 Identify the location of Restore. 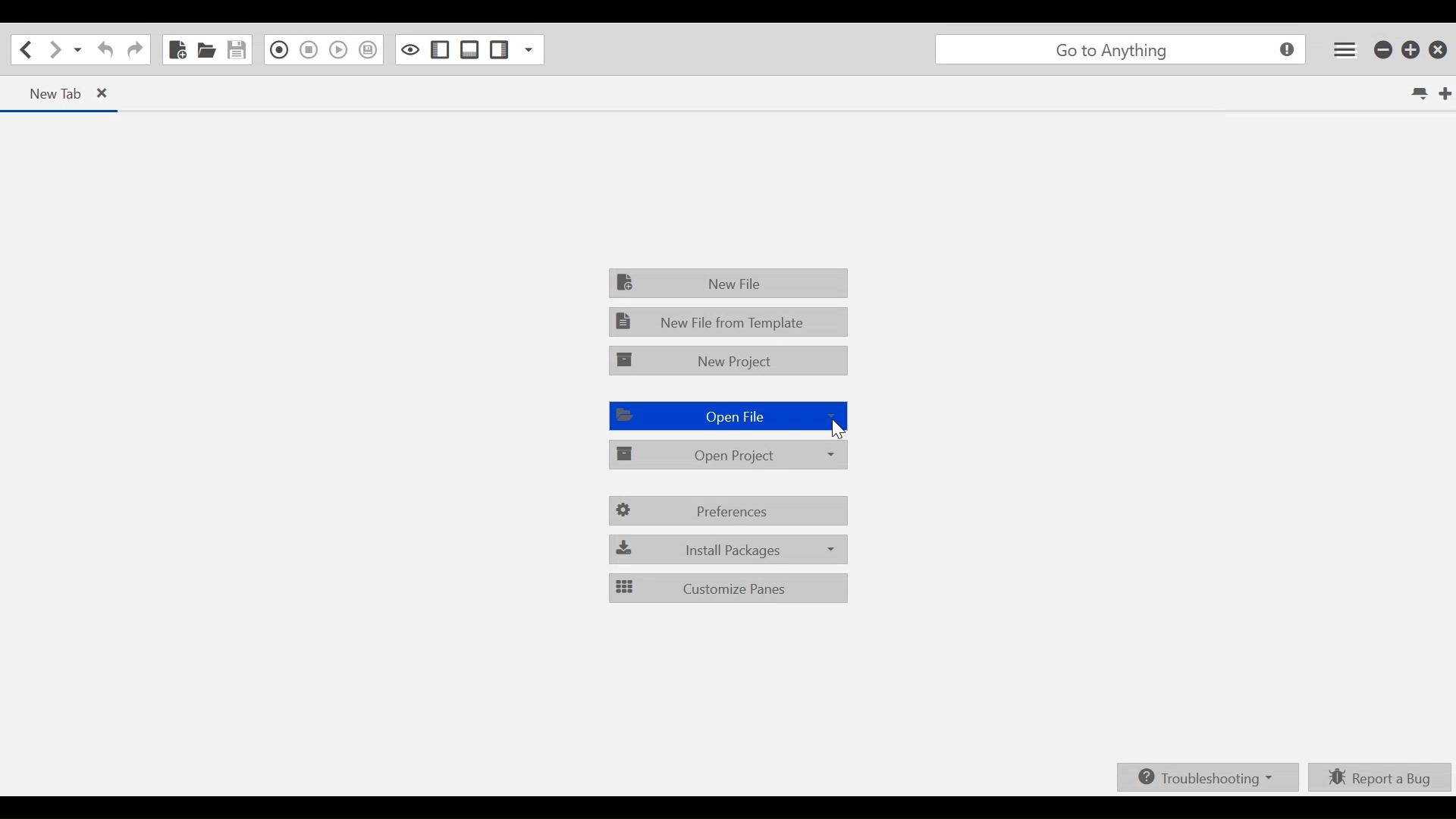
(1410, 50).